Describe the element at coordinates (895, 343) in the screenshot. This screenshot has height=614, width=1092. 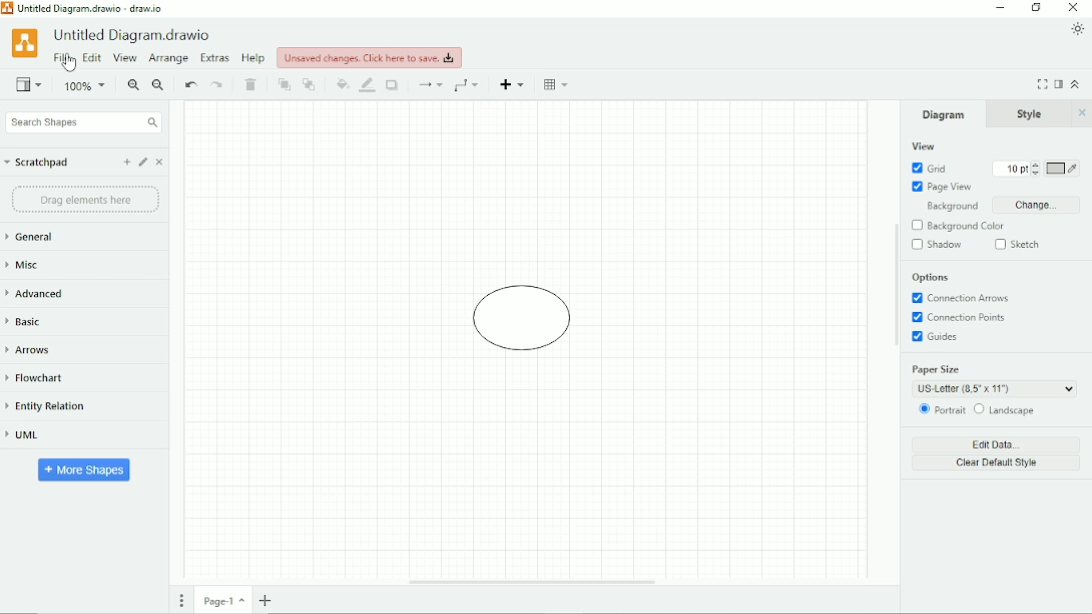
I see `Vertical Scroll Bar` at that location.